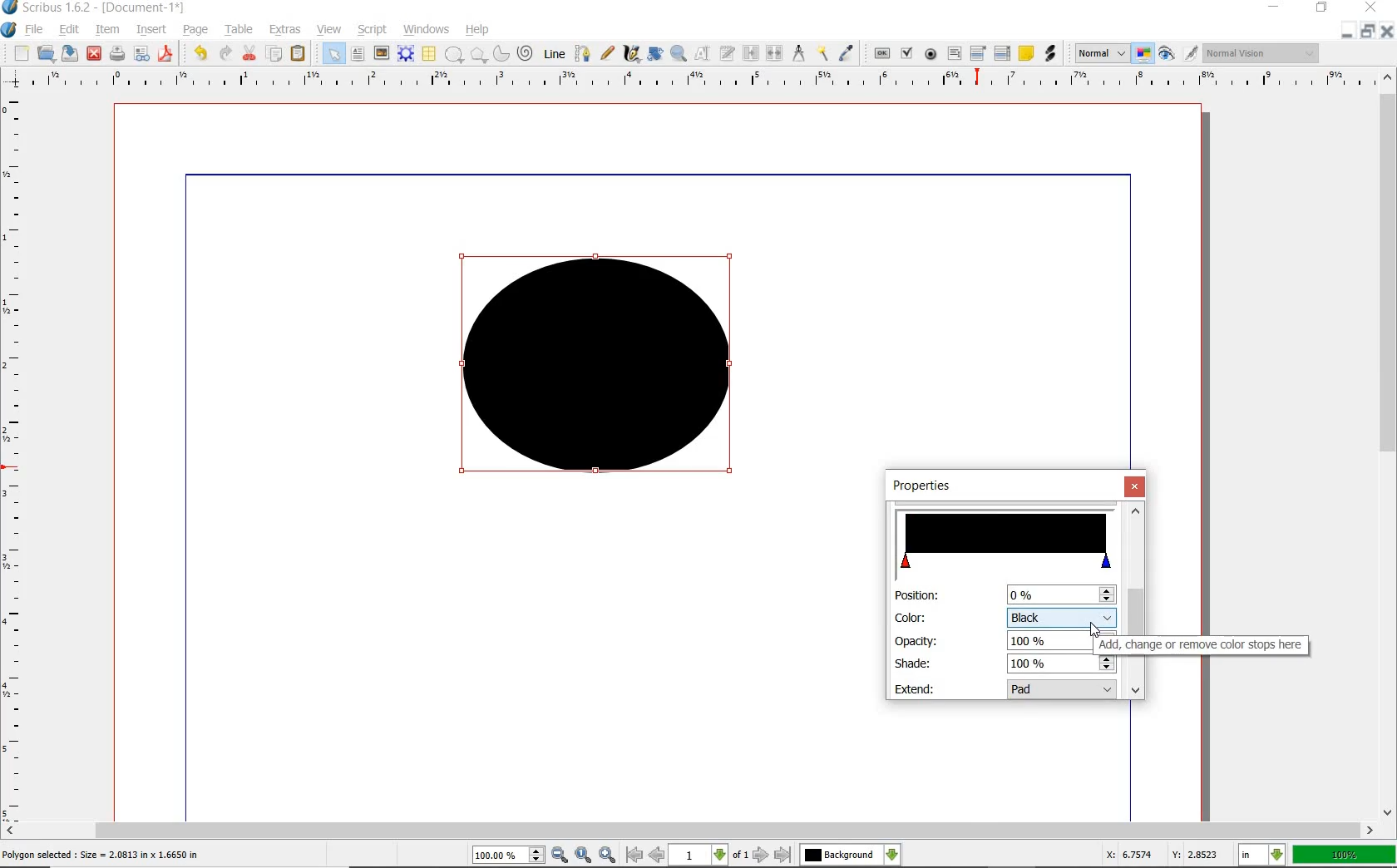 This screenshot has width=1397, height=868. Describe the element at coordinates (1059, 594) in the screenshot. I see `position` at that location.